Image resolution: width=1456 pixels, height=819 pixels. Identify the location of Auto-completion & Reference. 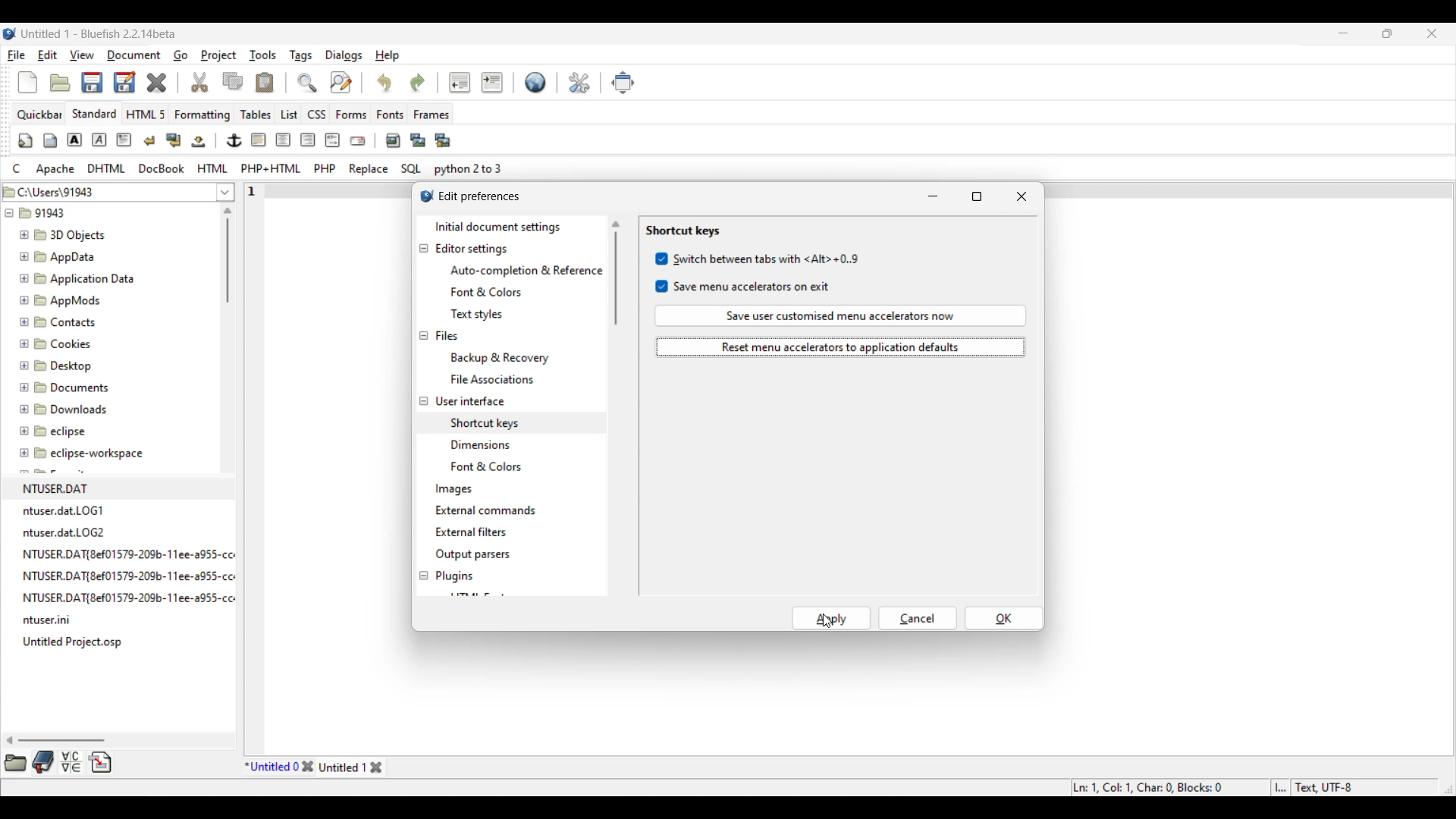
(526, 271).